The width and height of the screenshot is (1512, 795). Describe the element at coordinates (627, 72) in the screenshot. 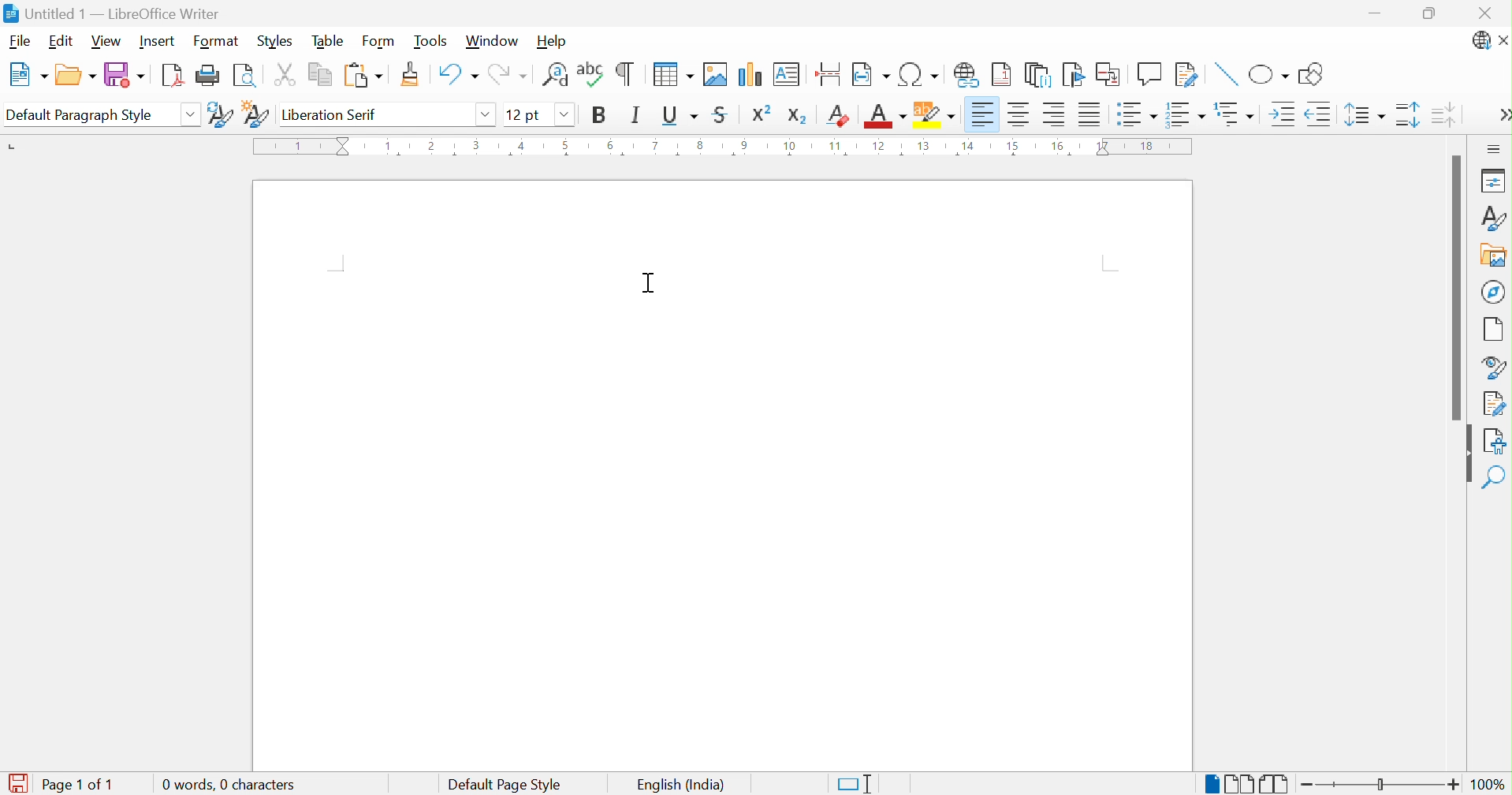

I see `Toggle formatting marks` at that location.